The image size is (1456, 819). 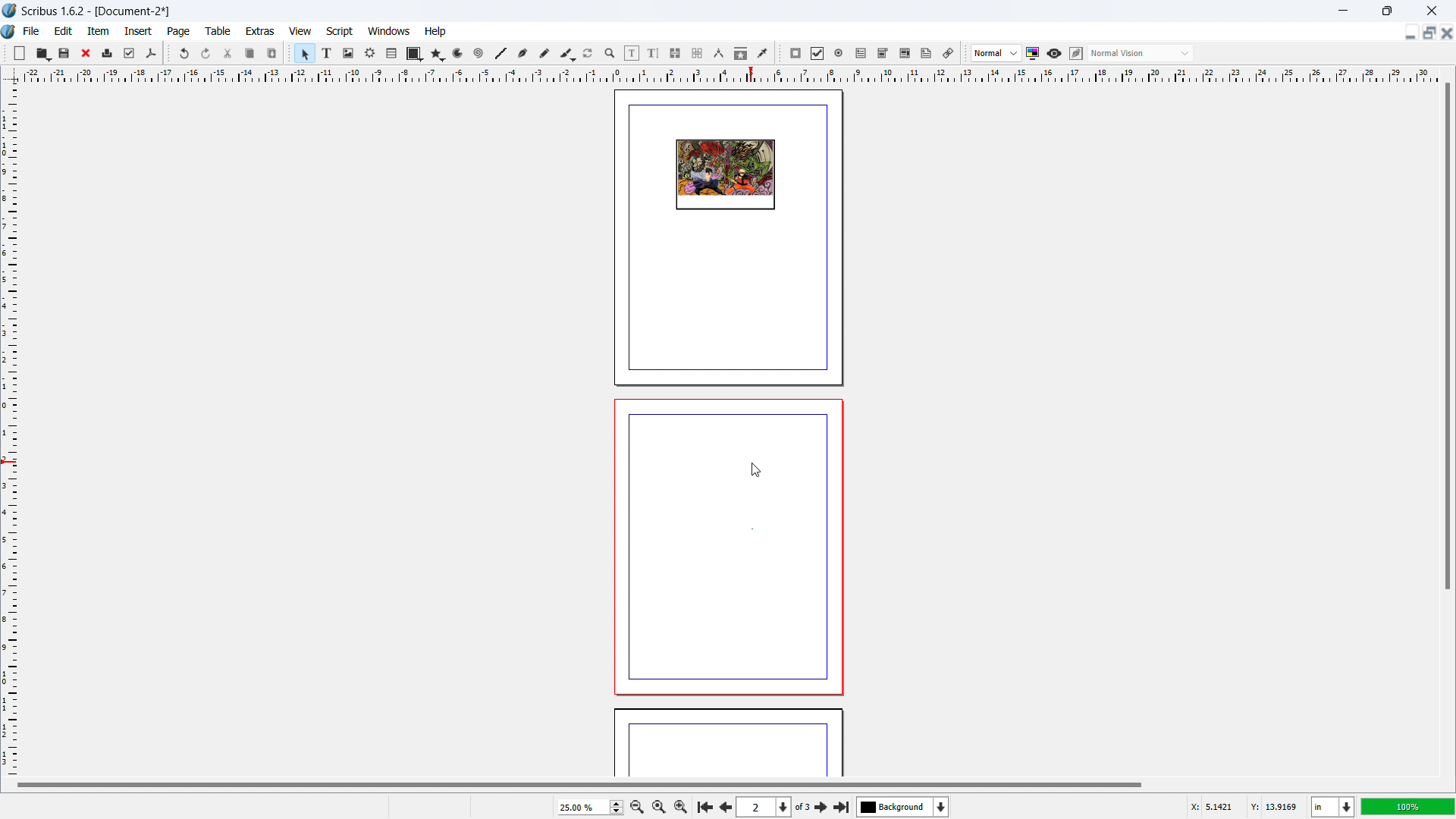 What do you see at coordinates (632, 54) in the screenshot?
I see `edit contents of the frame` at bounding box center [632, 54].